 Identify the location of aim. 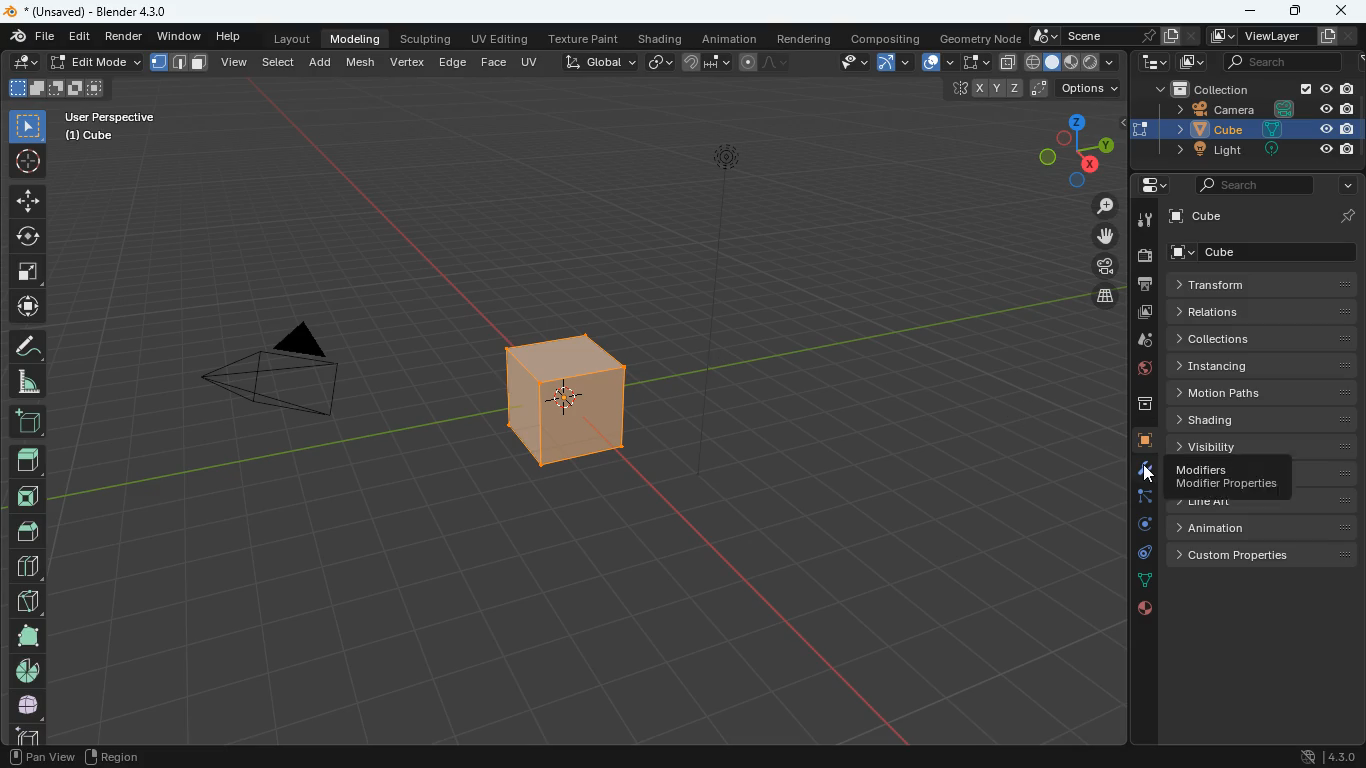
(26, 161).